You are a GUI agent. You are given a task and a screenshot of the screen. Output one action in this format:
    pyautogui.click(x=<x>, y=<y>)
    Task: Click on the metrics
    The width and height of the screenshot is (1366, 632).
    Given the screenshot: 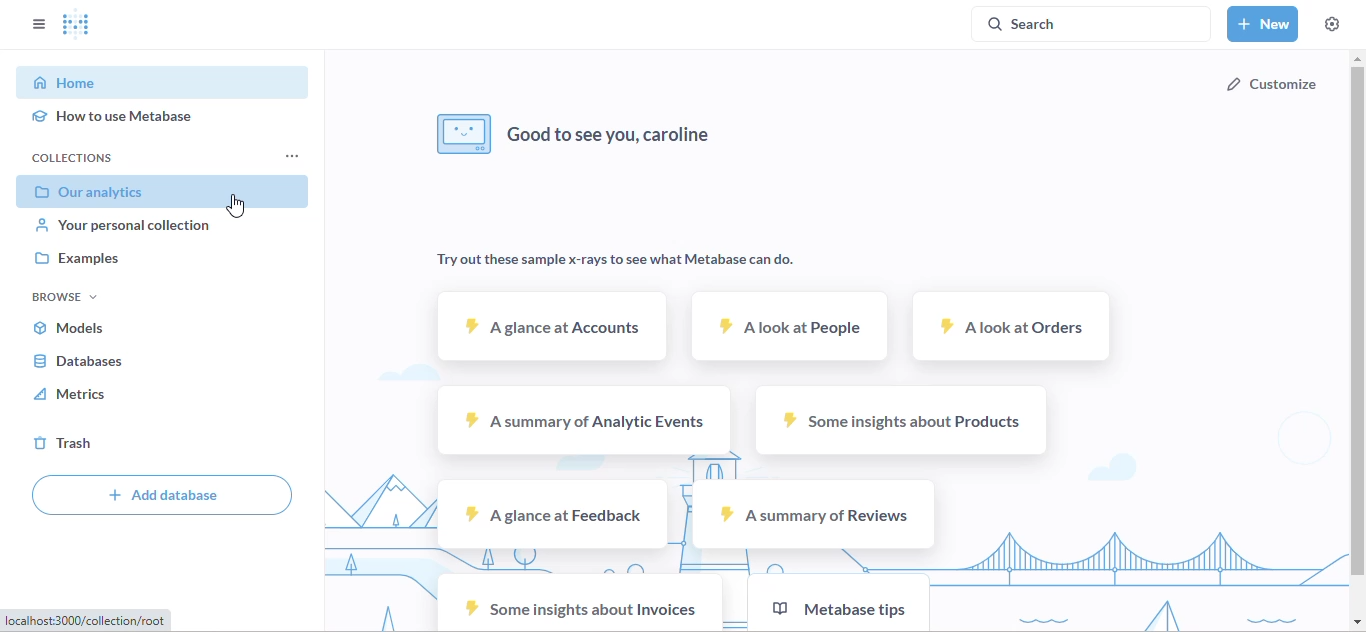 What is the action you would take?
    pyautogui.click(x=71, y=394)
    